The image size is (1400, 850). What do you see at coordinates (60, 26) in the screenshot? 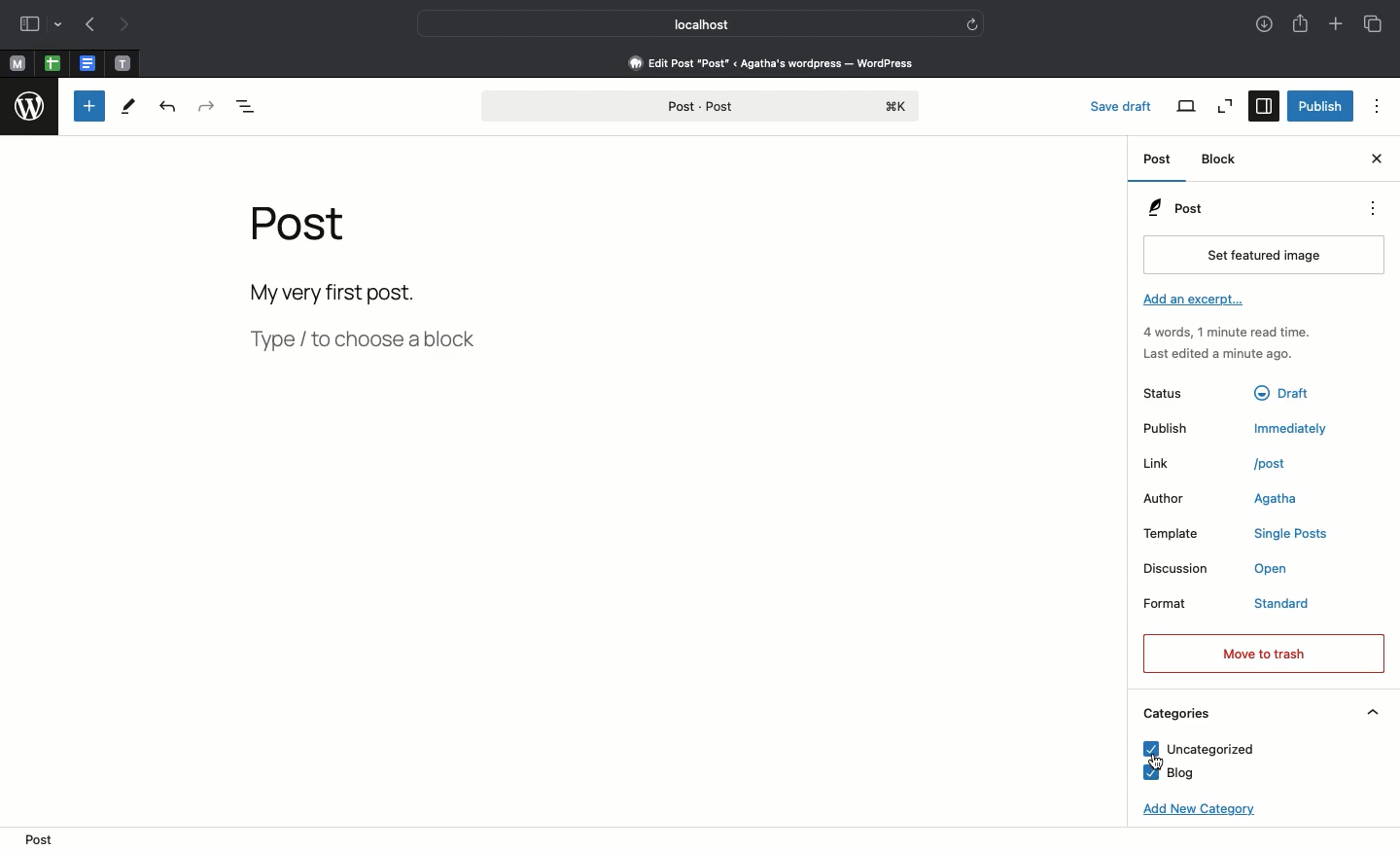
I see `drop-down` at bounding box center [60, 26].